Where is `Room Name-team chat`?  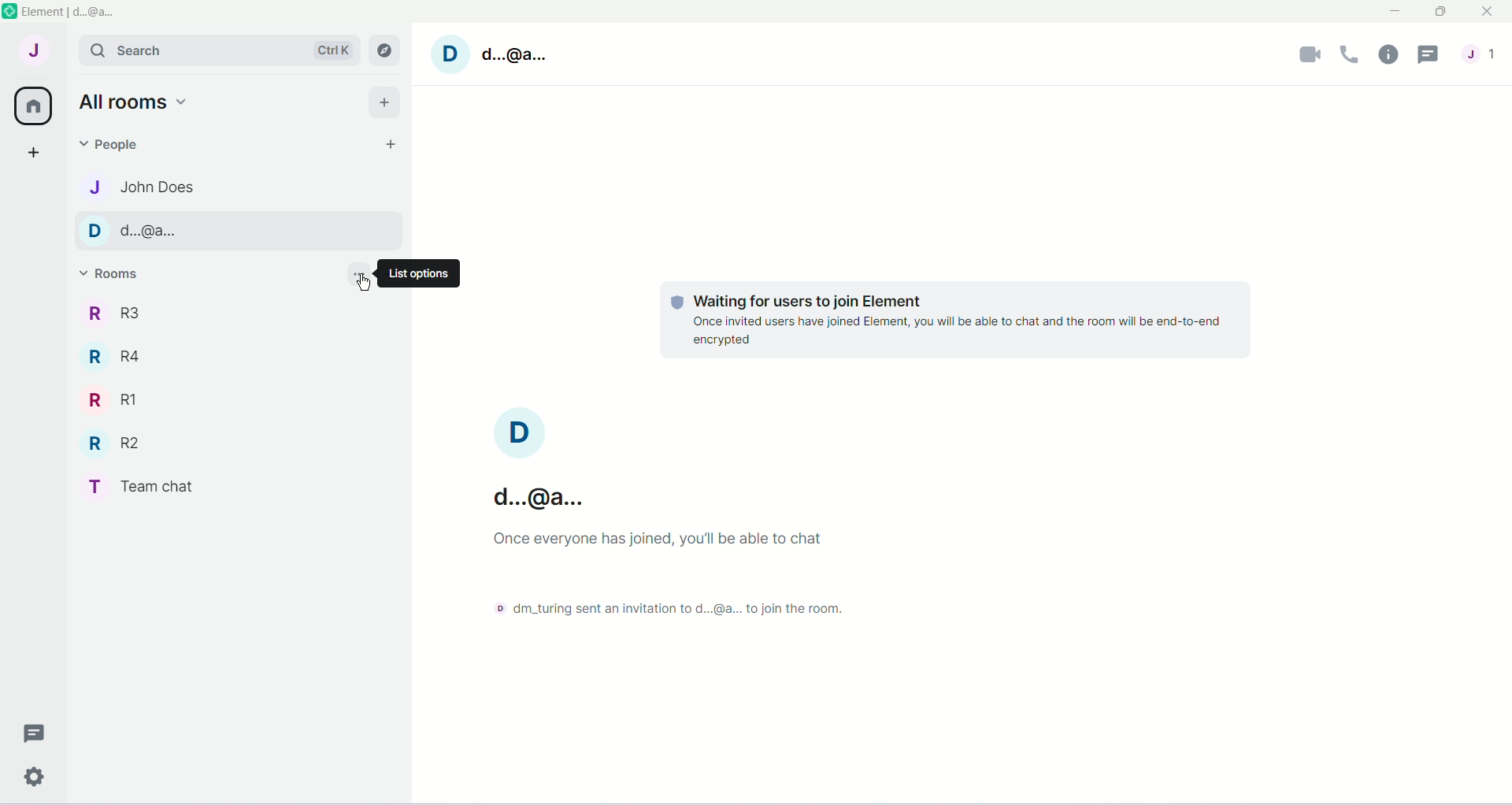 Room Name-team chat is located at coordinates (150, 486).